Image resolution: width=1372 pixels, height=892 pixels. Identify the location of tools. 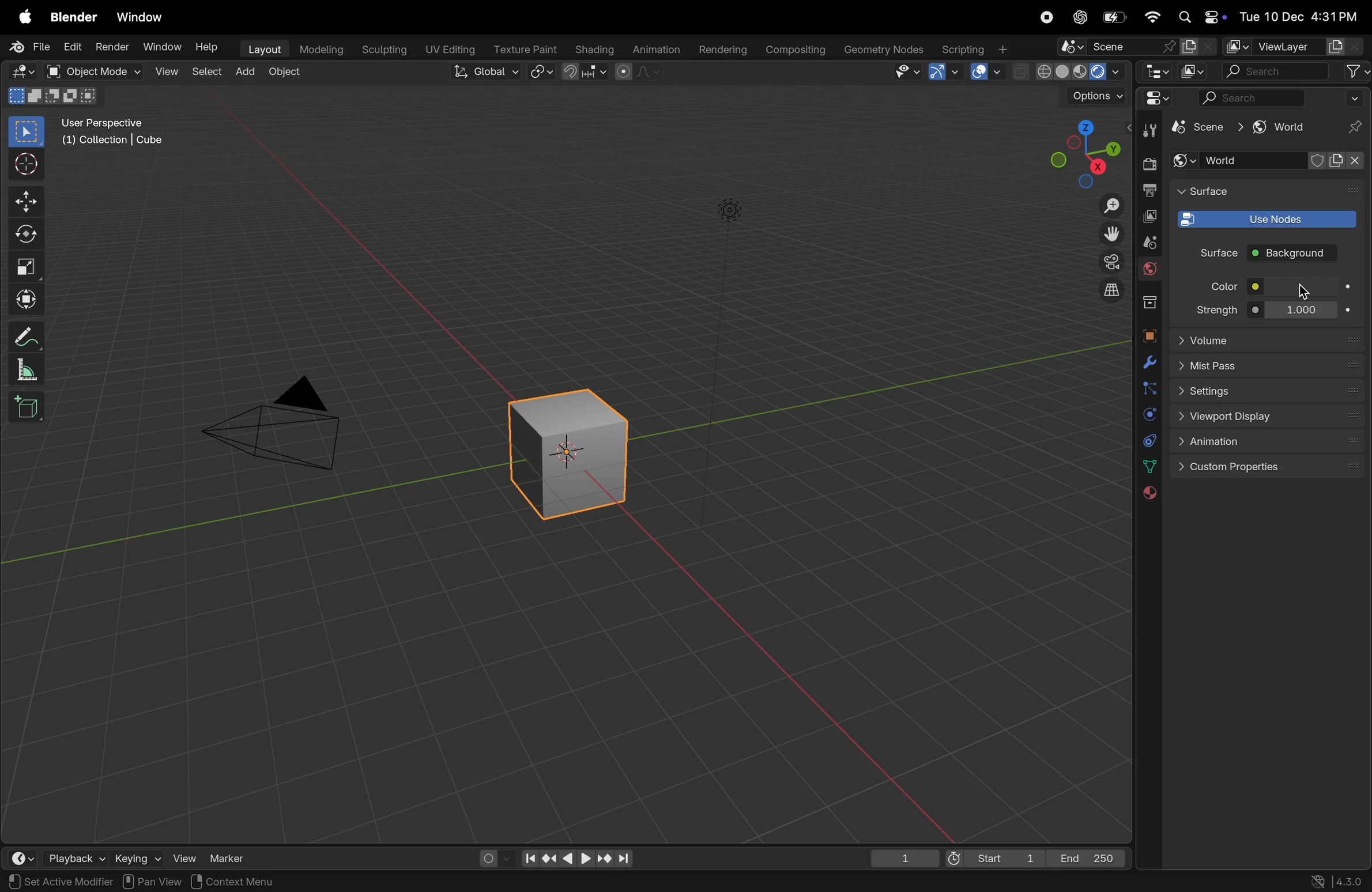
(1146, 130).